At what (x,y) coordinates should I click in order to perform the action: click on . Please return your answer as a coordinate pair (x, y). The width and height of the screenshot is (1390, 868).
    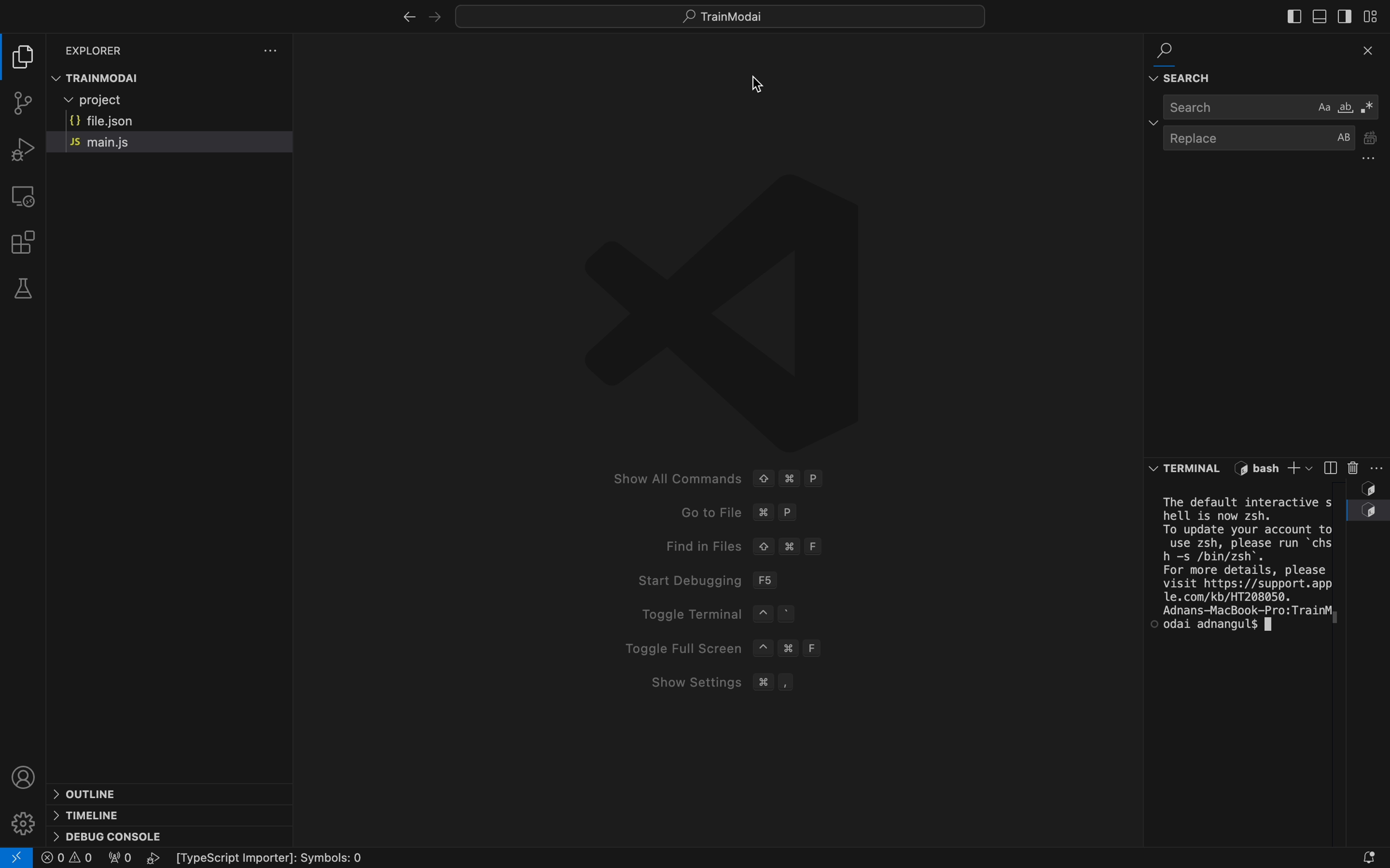
    Looking at the image, I should click on (1368, 502).